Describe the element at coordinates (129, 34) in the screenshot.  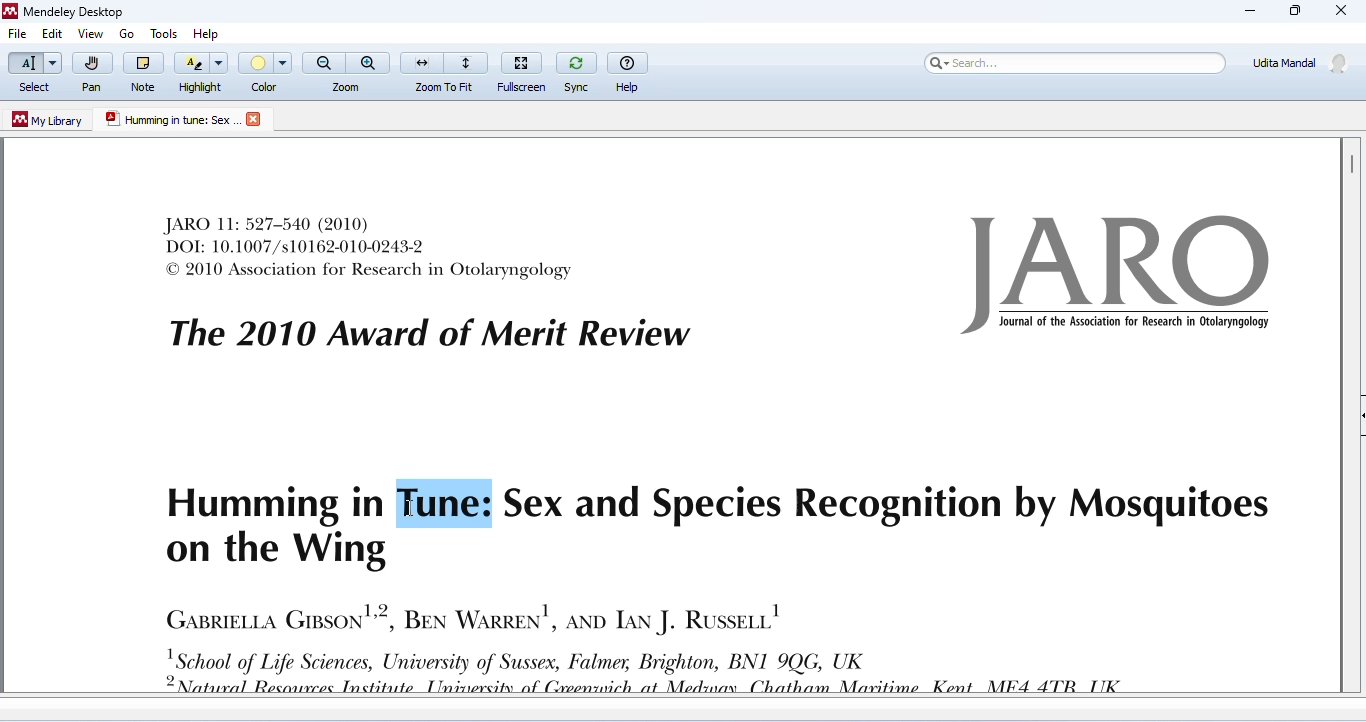
I see `Go` at that location.